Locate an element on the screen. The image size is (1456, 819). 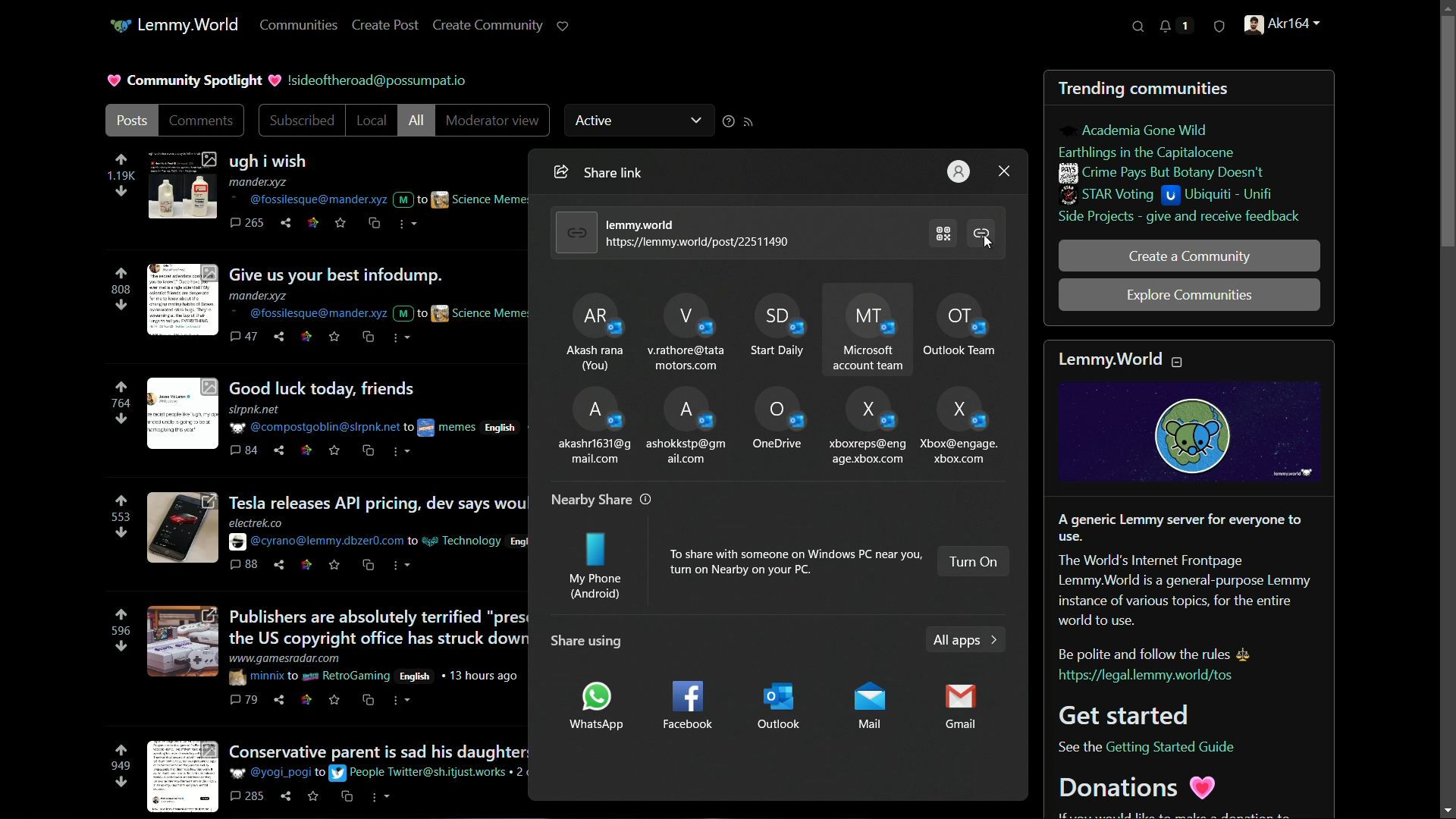
upvote is located at coordinates (122, 386).